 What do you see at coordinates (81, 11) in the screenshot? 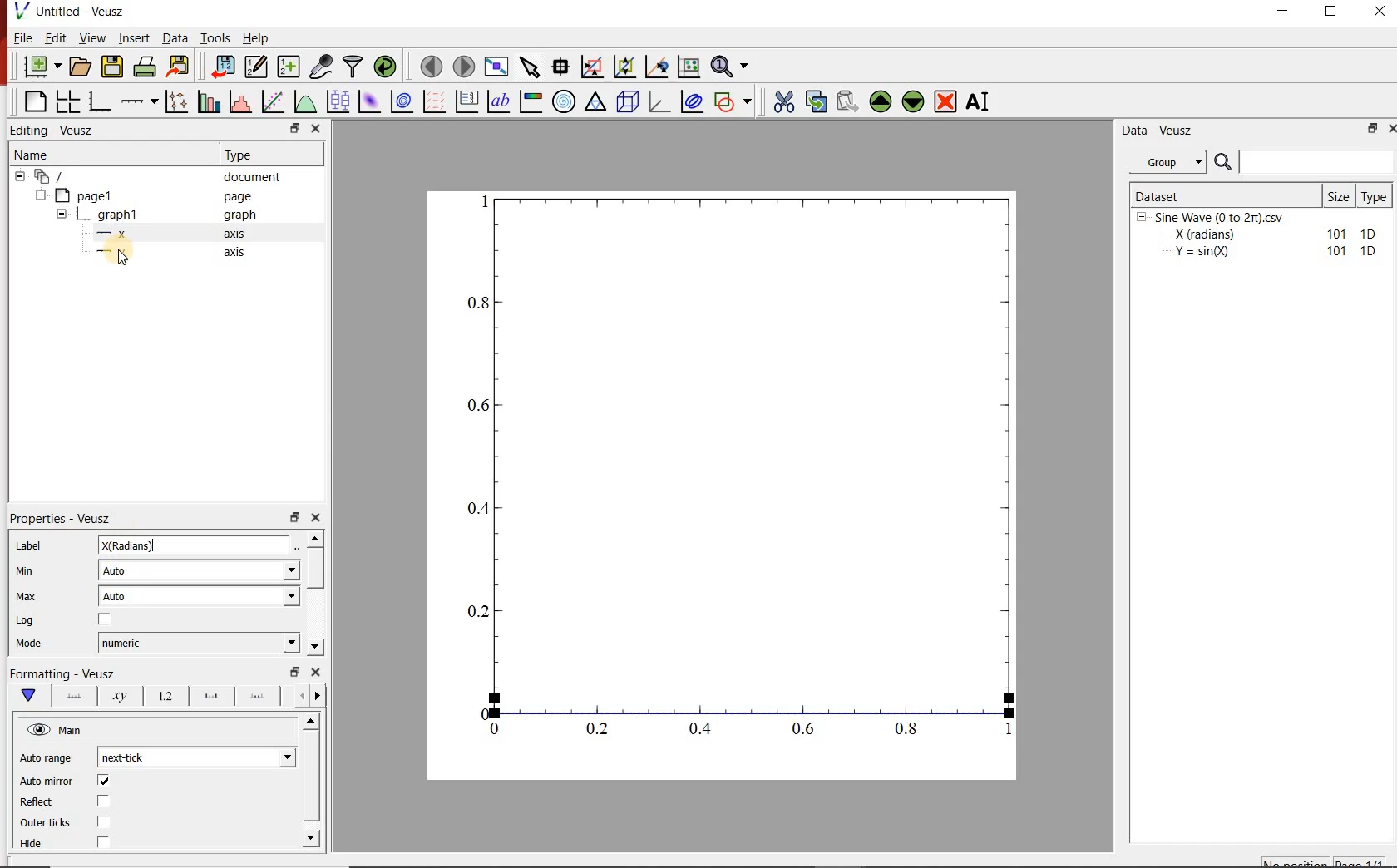
I see `Untitled - Veusz` at bounding box center [81, 11].